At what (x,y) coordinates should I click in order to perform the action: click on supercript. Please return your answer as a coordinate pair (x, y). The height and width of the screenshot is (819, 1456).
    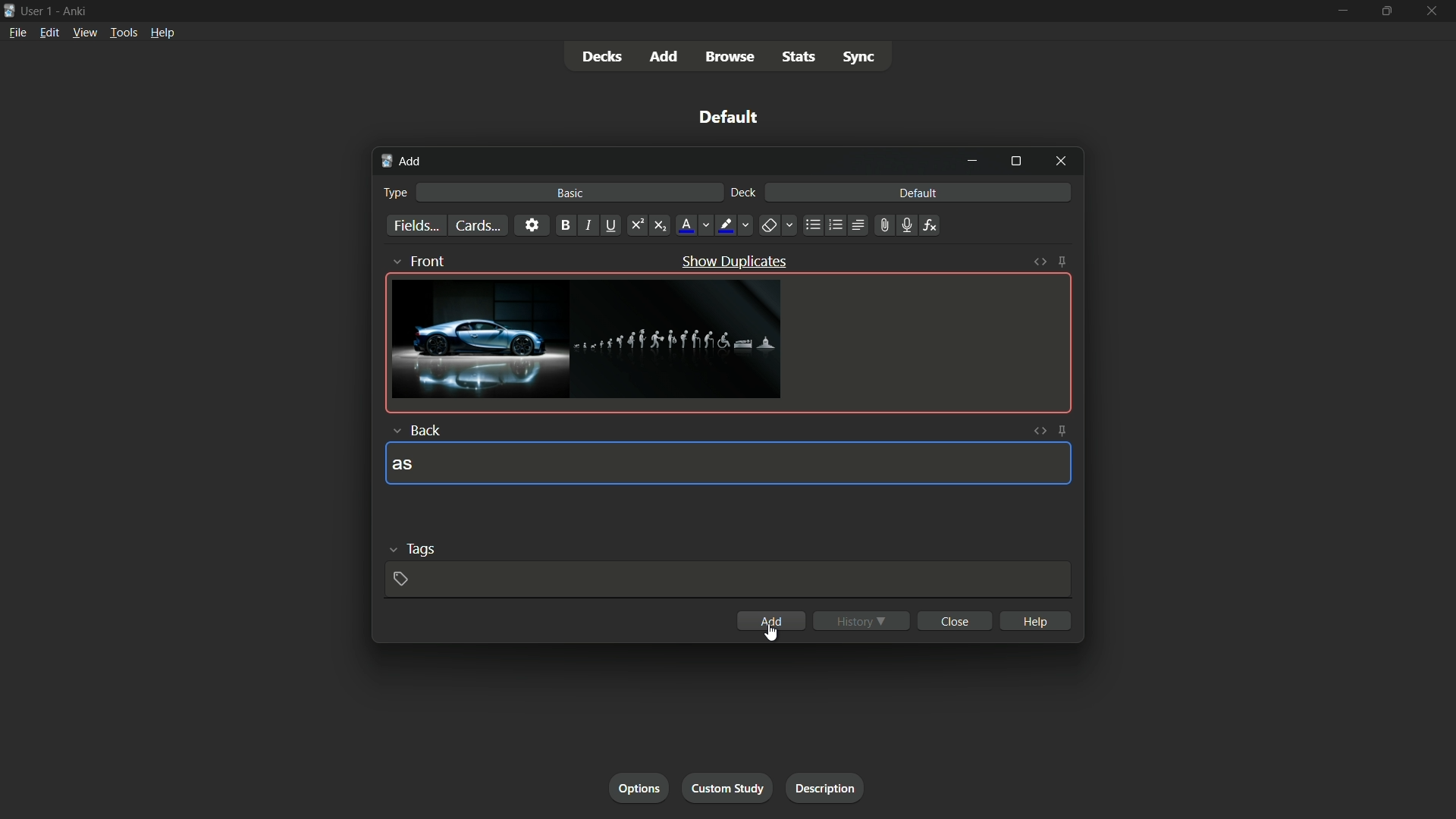
    Looking at the image, I should click on (639, 224).